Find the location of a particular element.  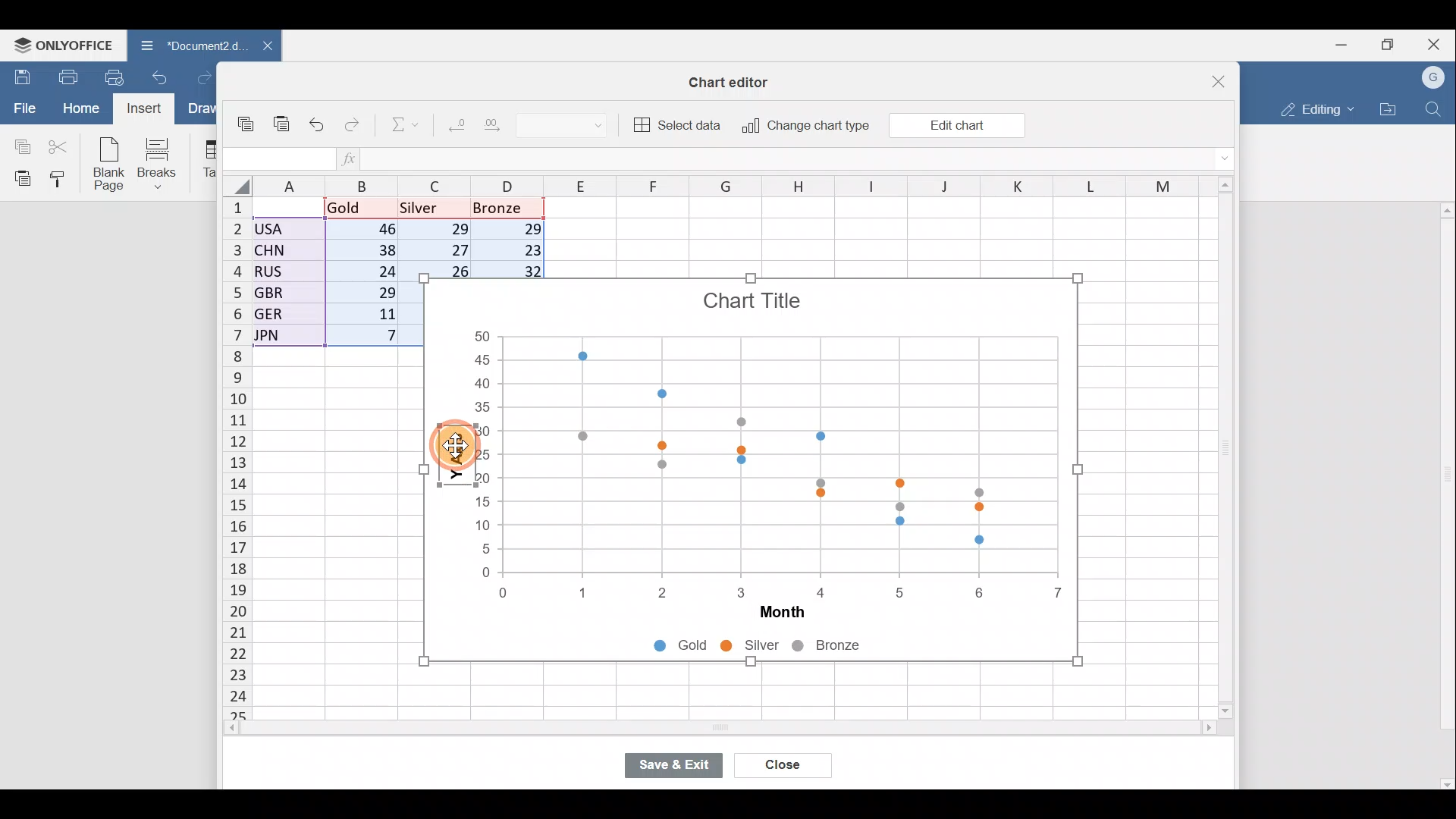

Redo is located at coordinates (204, 74).